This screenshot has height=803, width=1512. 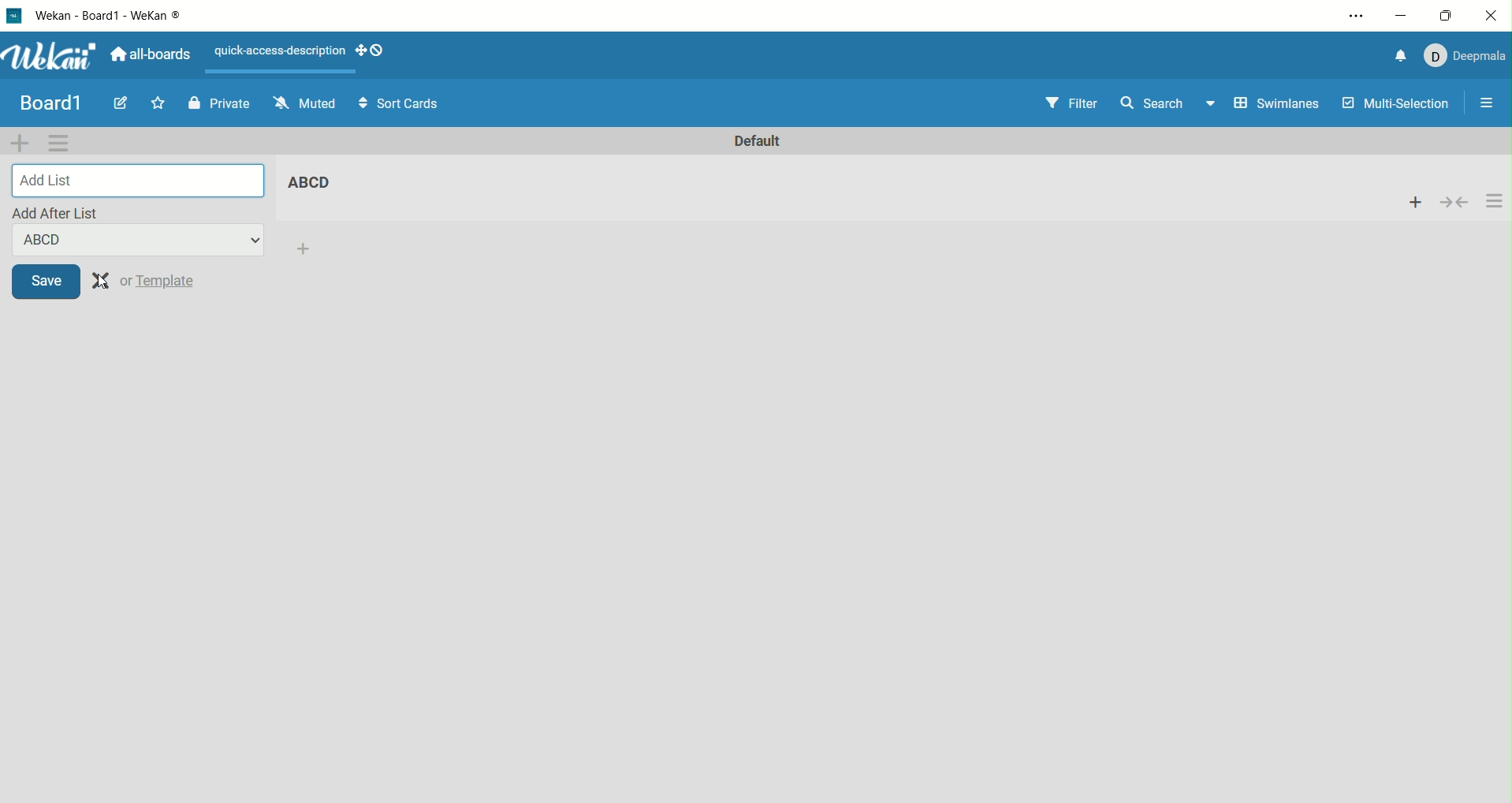 I want to click on swimlanes, so click(x=1275, y=106).